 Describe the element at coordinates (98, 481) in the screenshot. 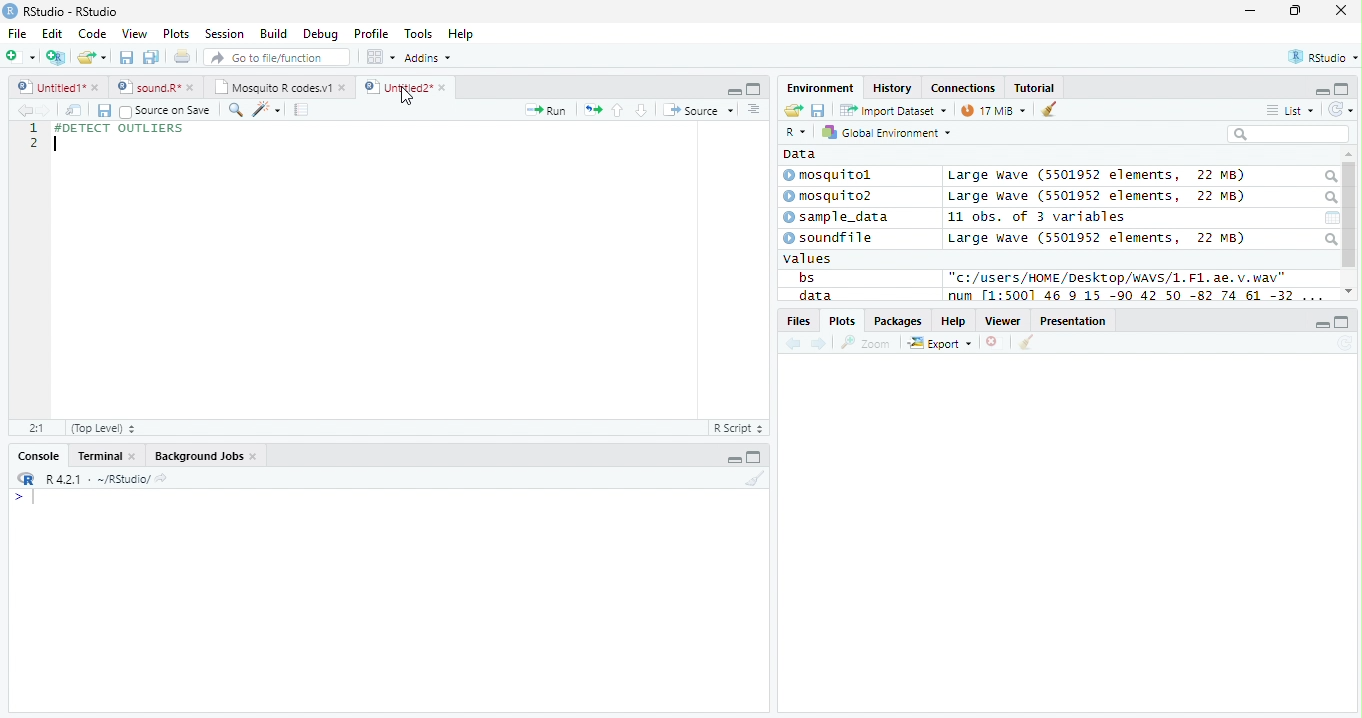

I see `R 4.2.1 - ~/RStudio/` at that location.